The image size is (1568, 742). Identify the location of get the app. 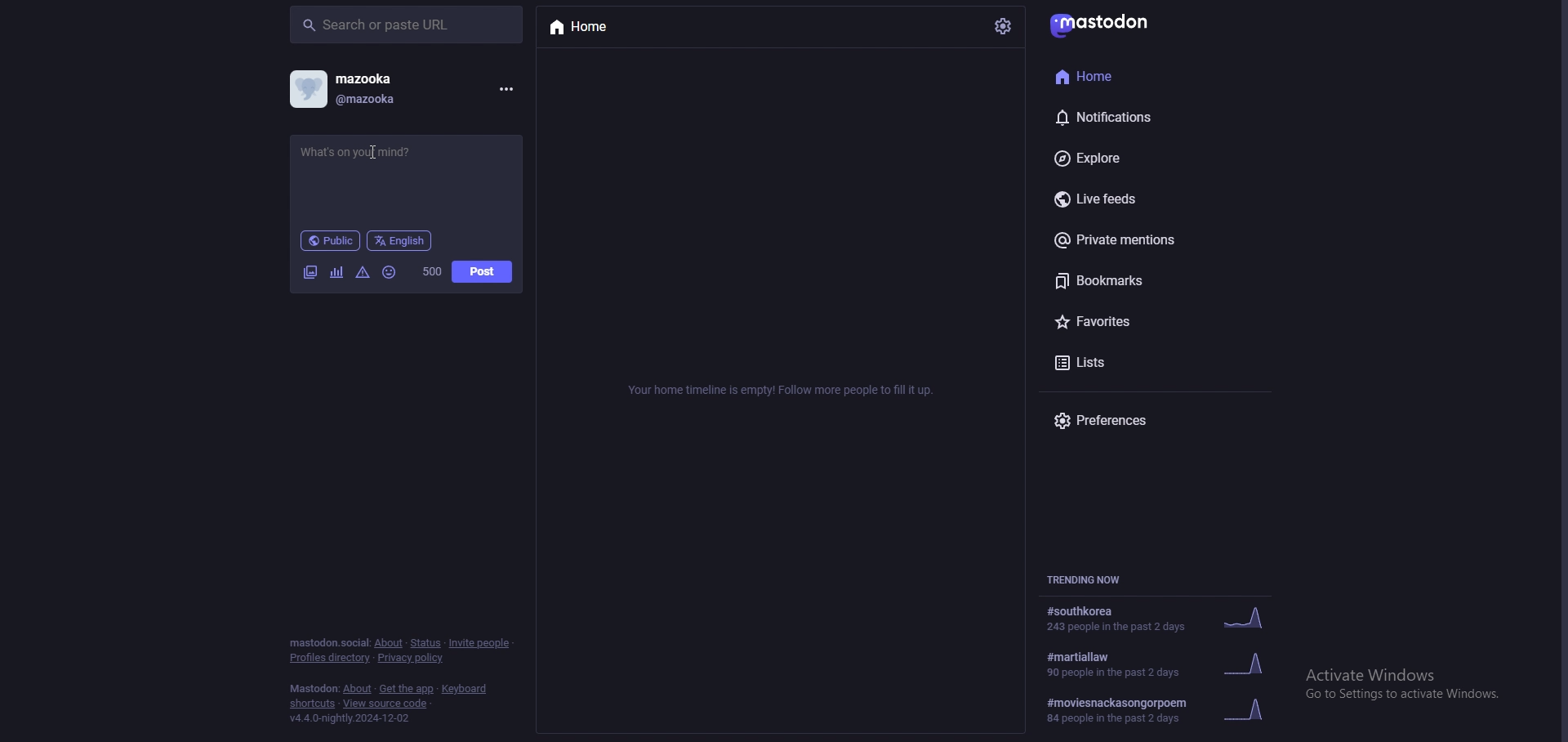
(407, 690).